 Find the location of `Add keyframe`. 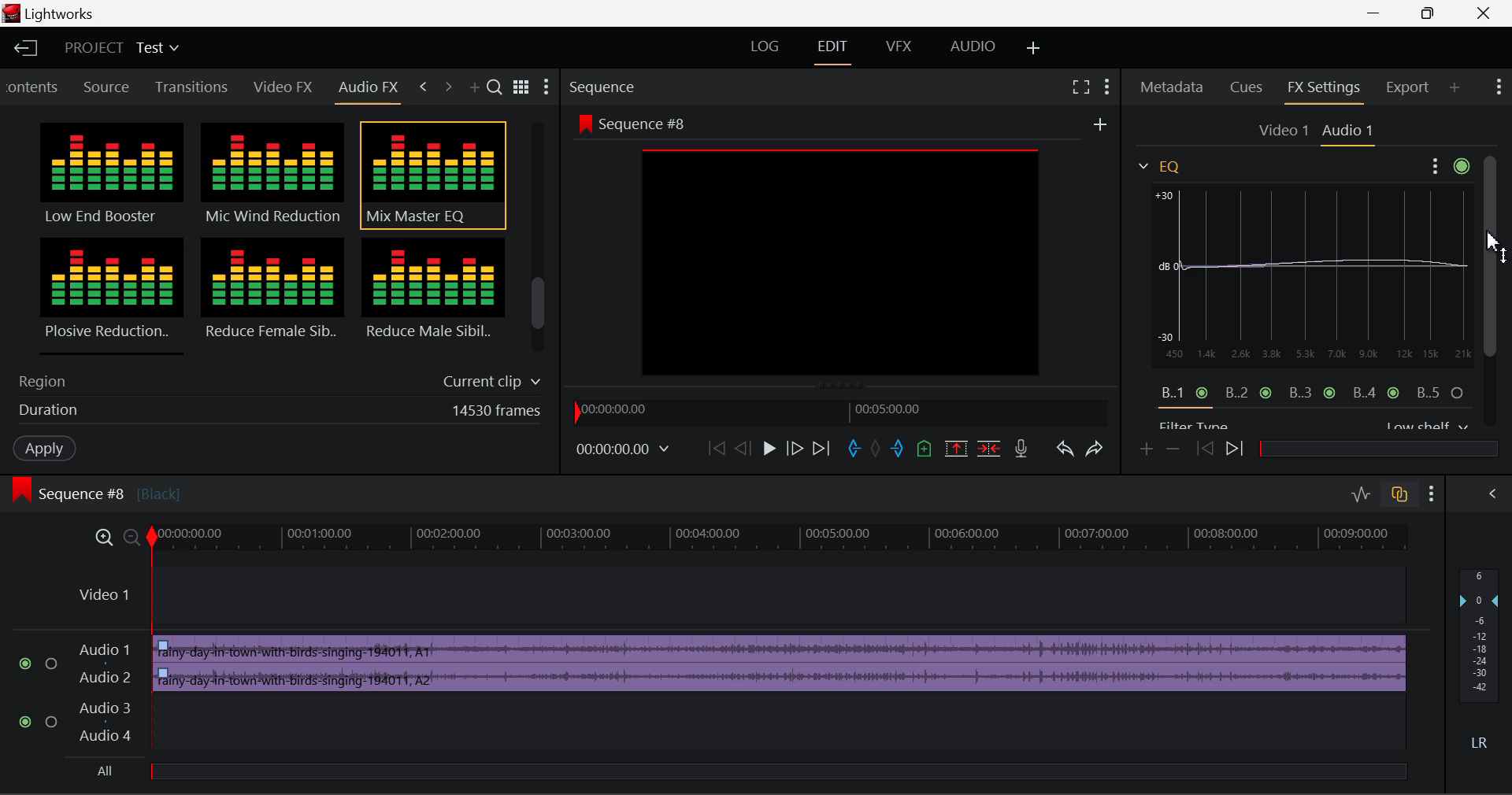

Add keyframe is located at coordinates (1143, 452).